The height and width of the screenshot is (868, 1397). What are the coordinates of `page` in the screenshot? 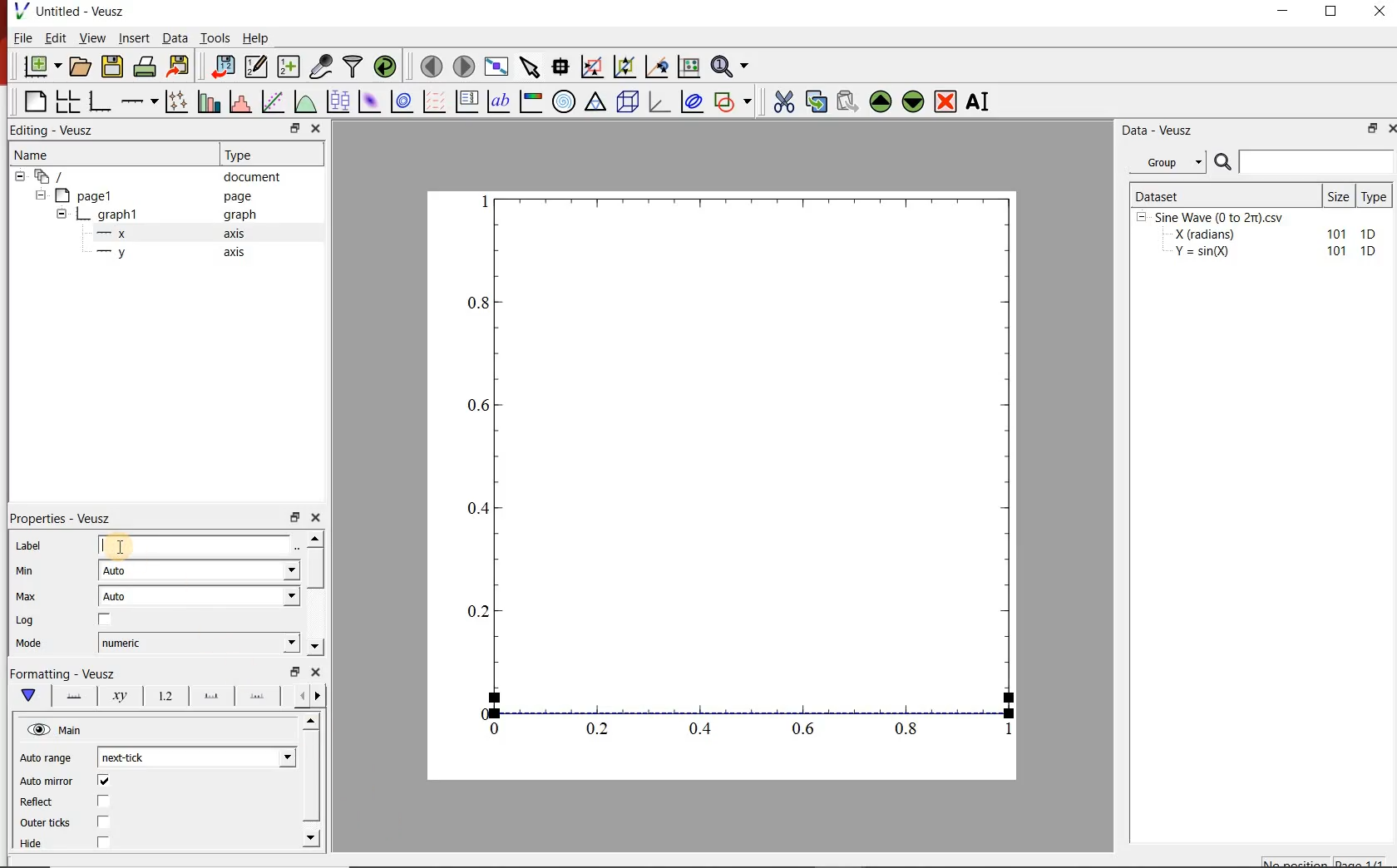 It's located at (238, 197).